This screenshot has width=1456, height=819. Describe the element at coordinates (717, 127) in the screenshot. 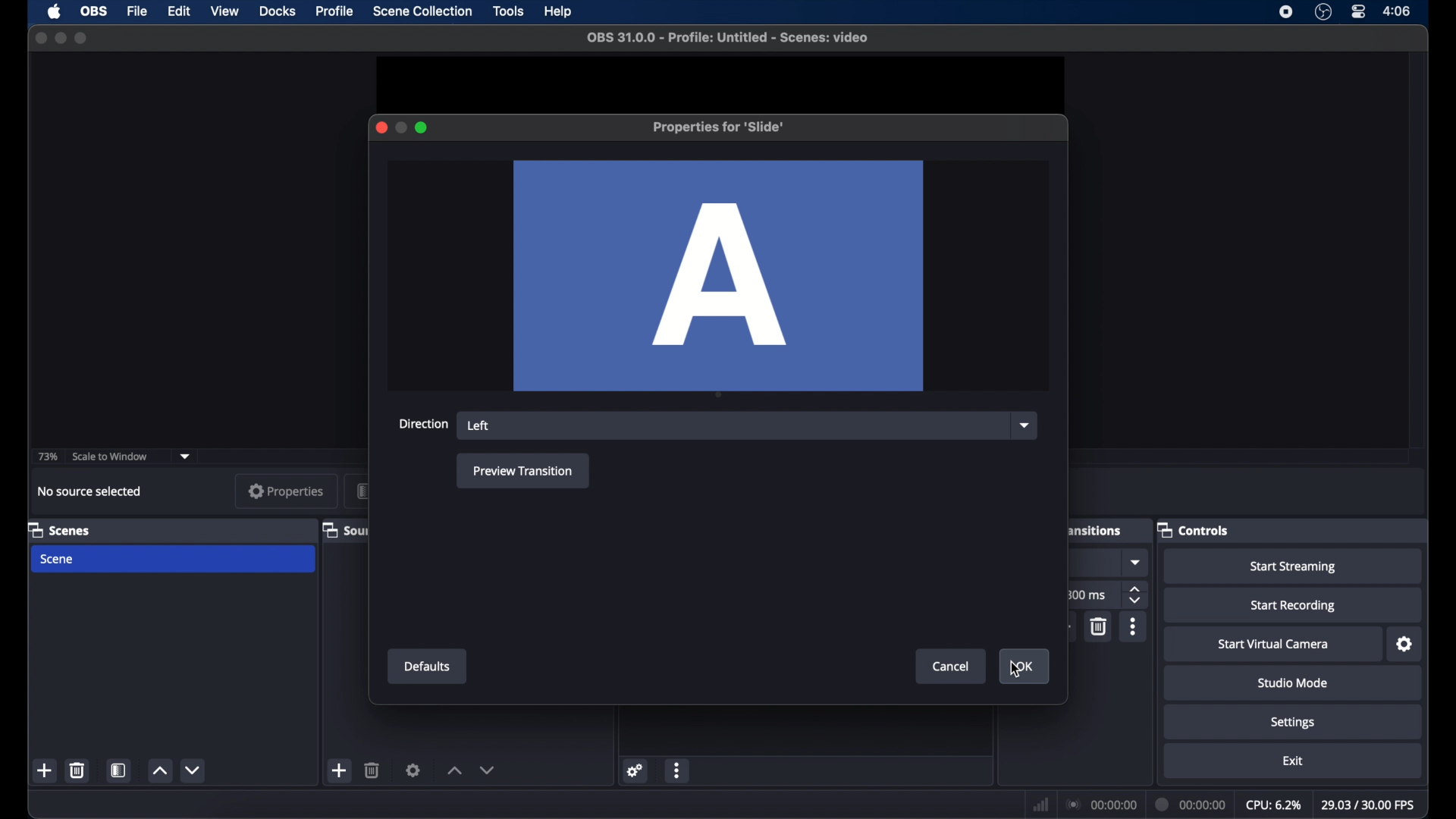

I see `properties for slide` at that location.